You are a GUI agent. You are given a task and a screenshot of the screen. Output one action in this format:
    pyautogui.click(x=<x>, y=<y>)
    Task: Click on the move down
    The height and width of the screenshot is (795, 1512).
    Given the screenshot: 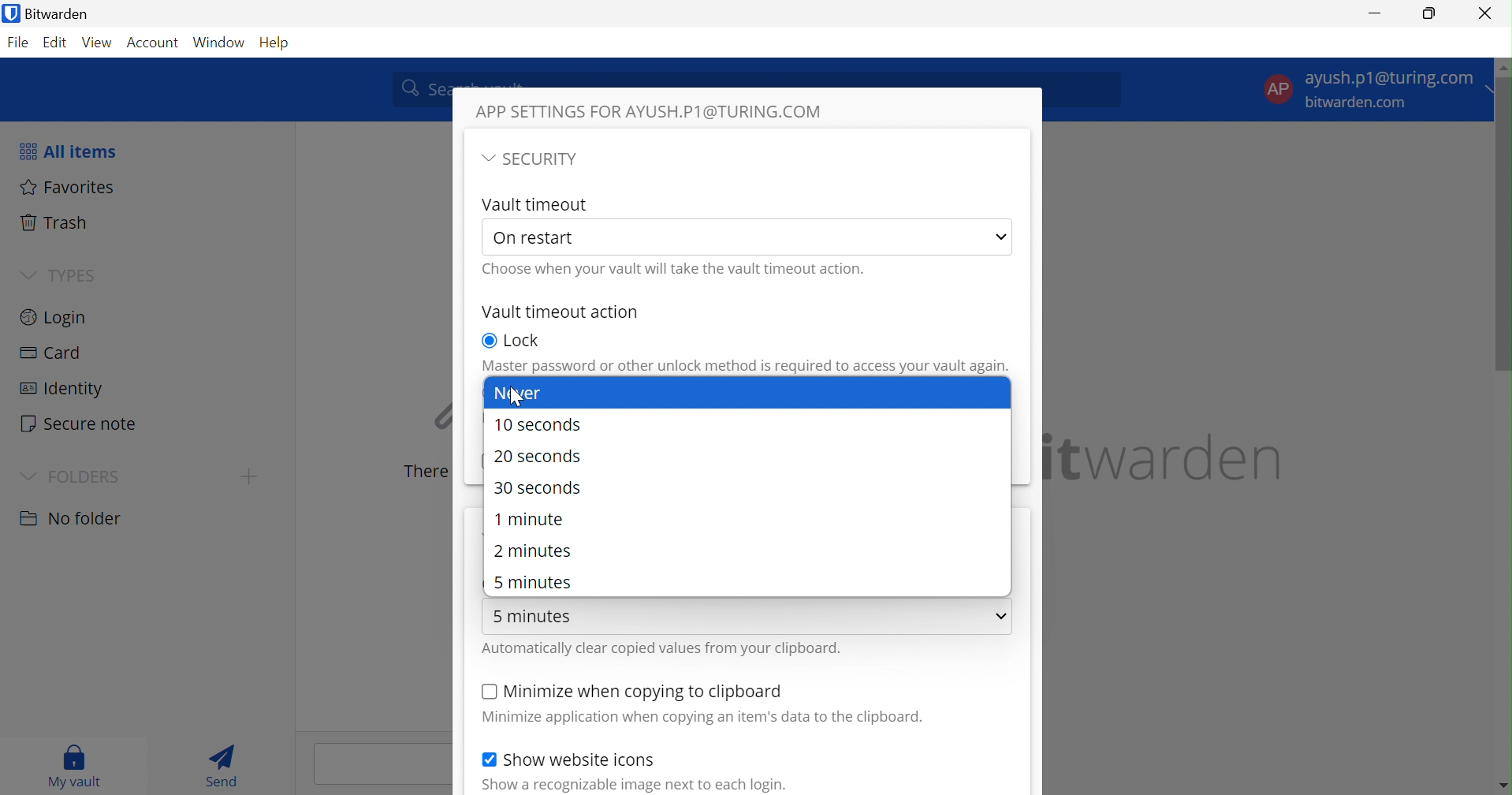 What is the action you would take?
    pyautogui.click(x=1503, y=788)
    